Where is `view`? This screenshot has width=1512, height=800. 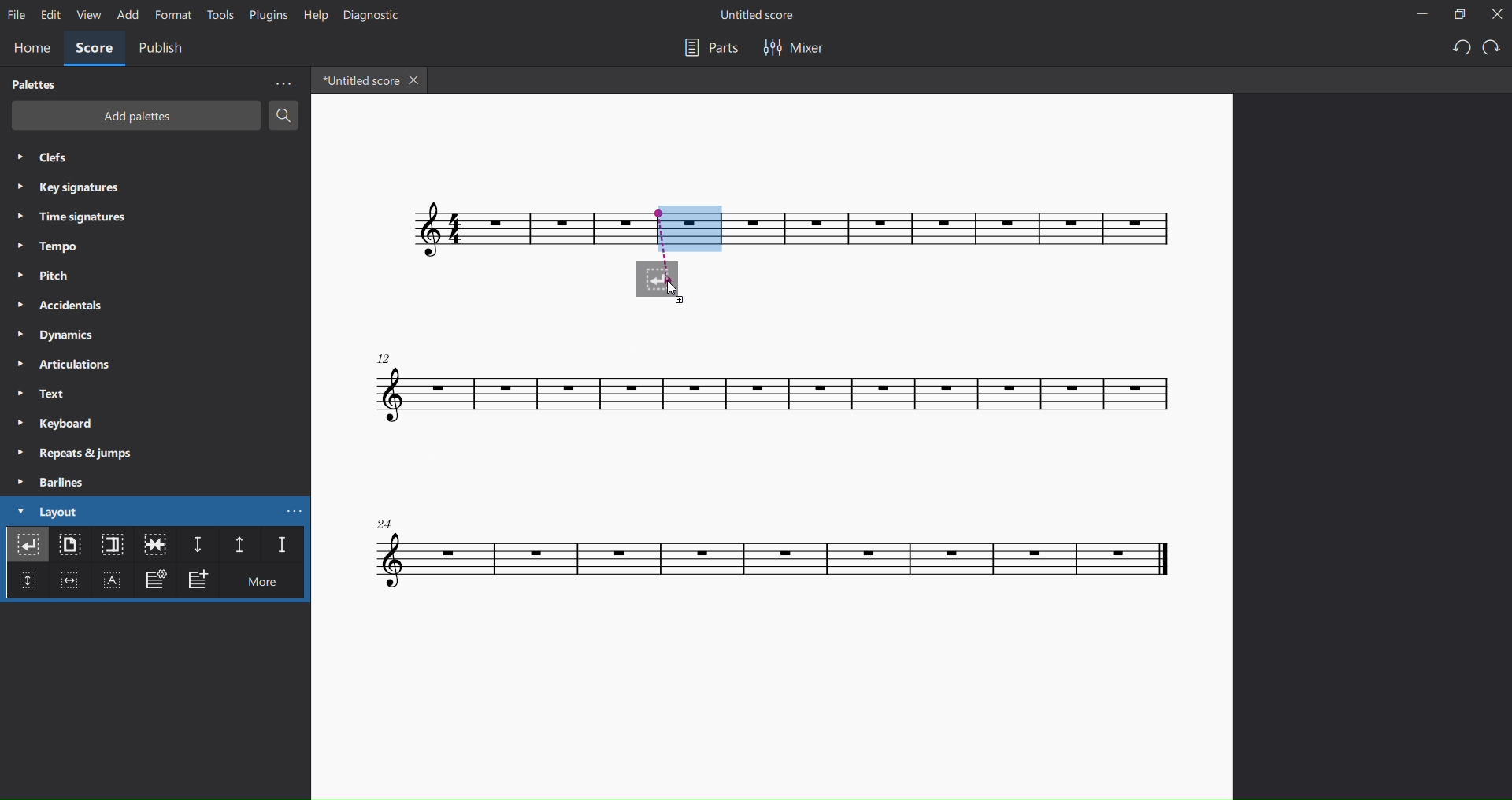 view is located at coordinates (87, 17).